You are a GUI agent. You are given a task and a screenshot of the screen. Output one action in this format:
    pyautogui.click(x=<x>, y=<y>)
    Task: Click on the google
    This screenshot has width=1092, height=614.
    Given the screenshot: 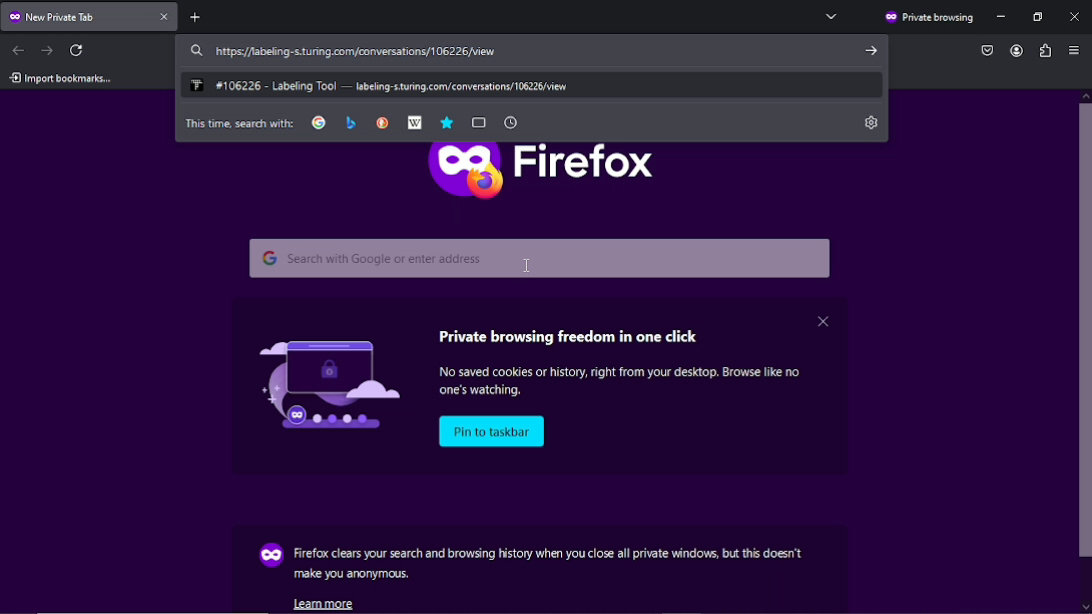 What is the action you would take?
    pyautogui.click(x=319, y=122)
    